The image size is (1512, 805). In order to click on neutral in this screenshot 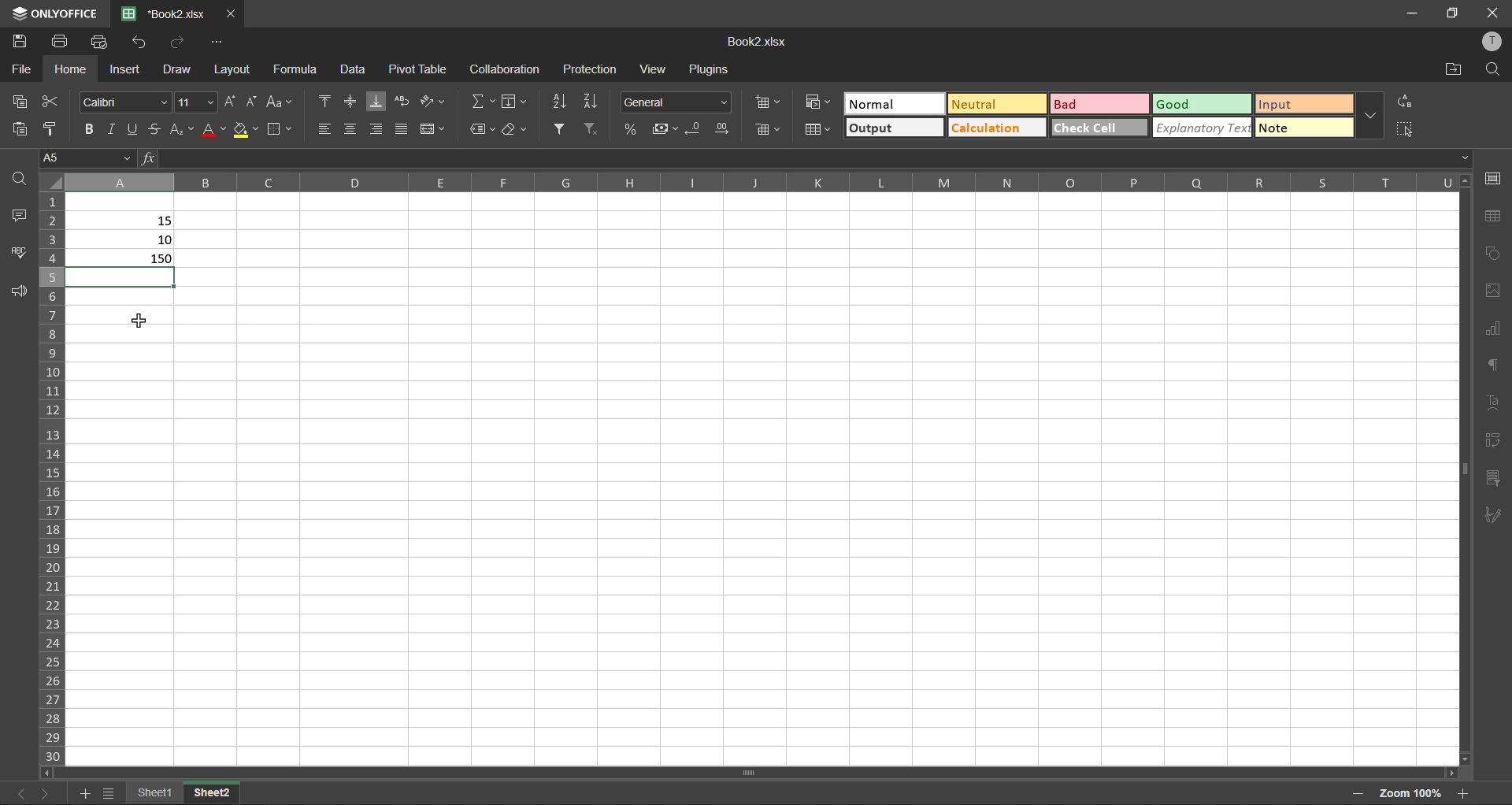, I will do `click(999, 106)`.